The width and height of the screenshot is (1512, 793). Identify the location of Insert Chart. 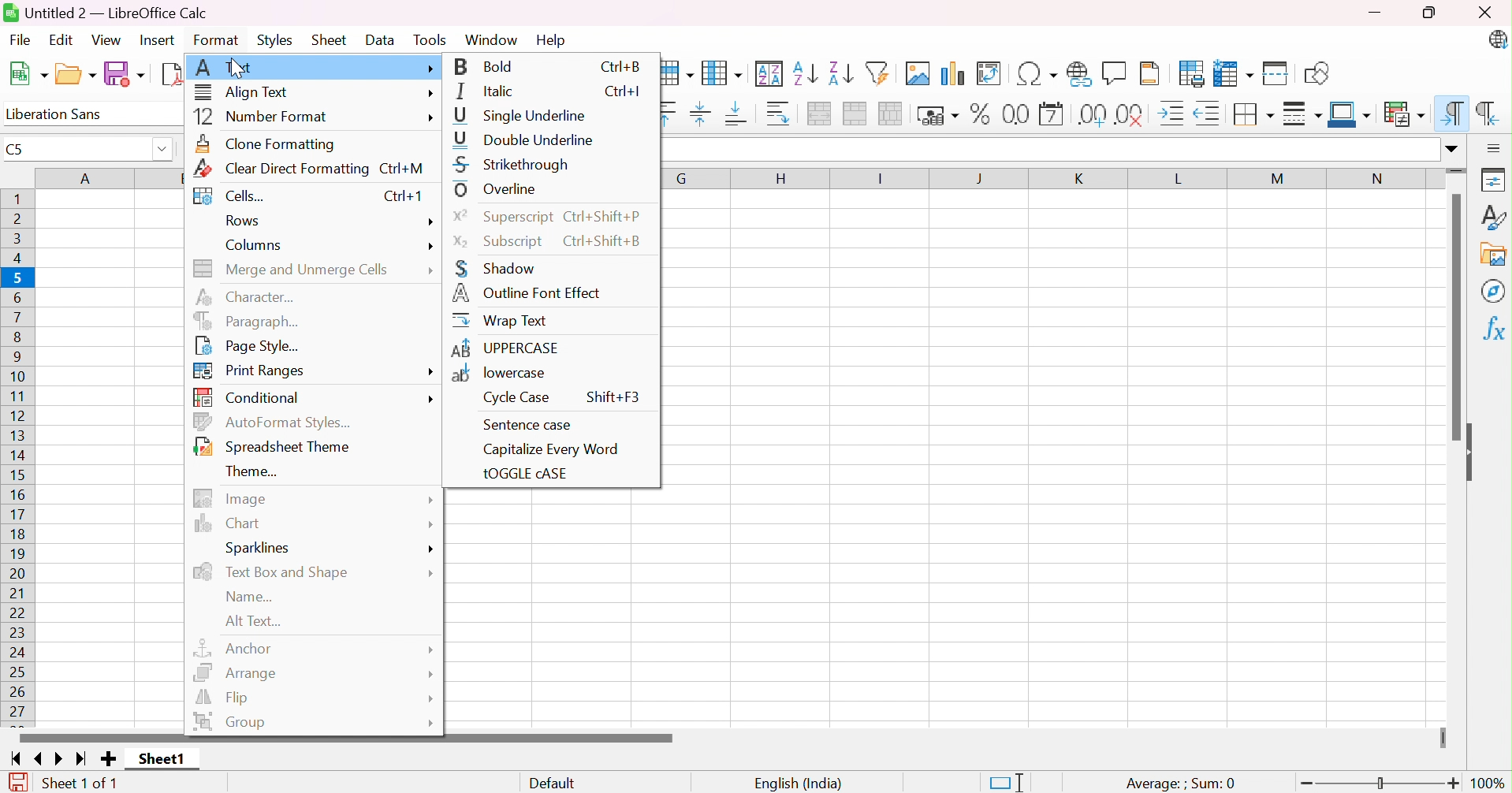
(955, 72).